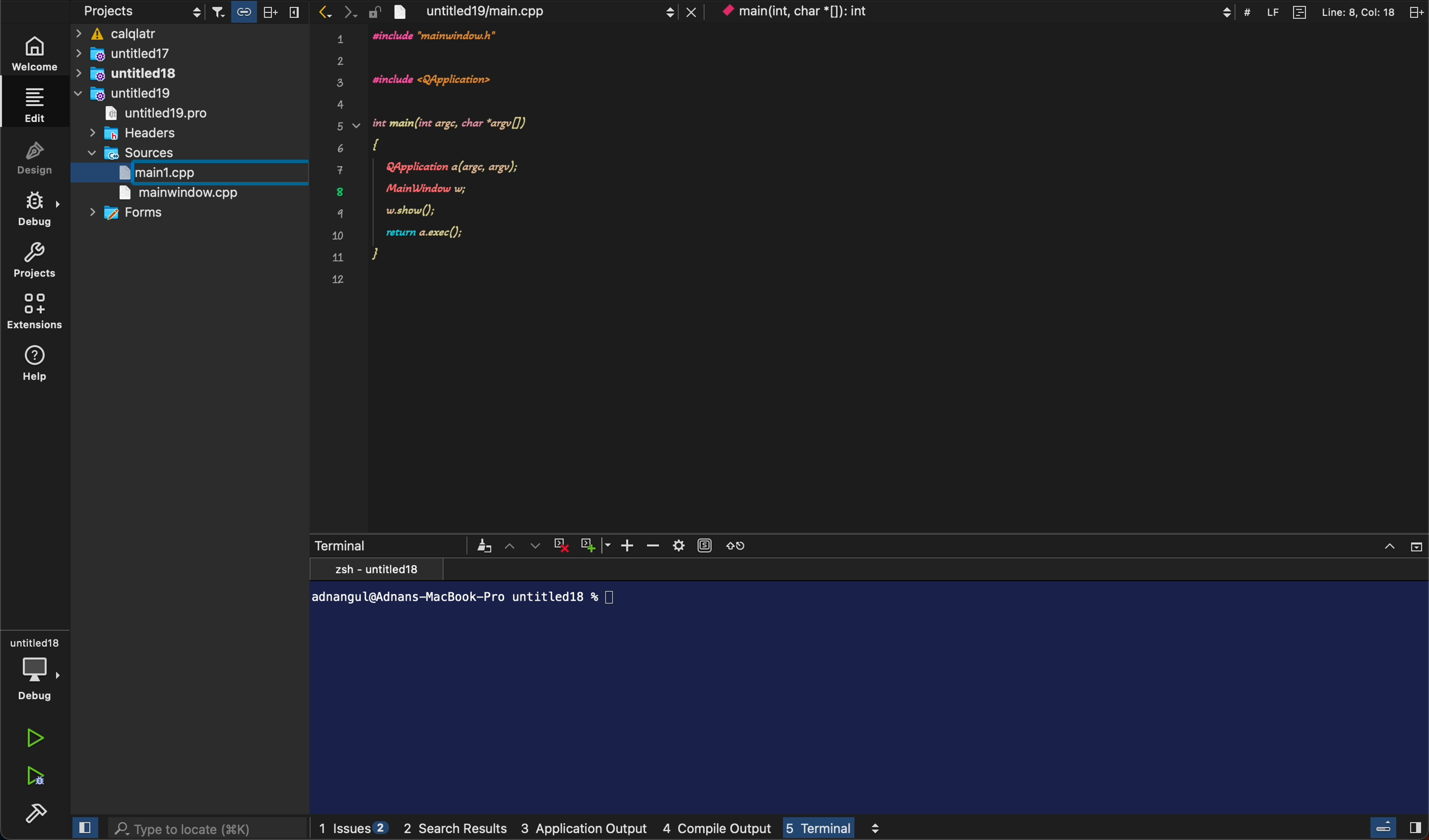  Describe the element at coordinates (36, 739) in the screenshot. I see `run` at that location.